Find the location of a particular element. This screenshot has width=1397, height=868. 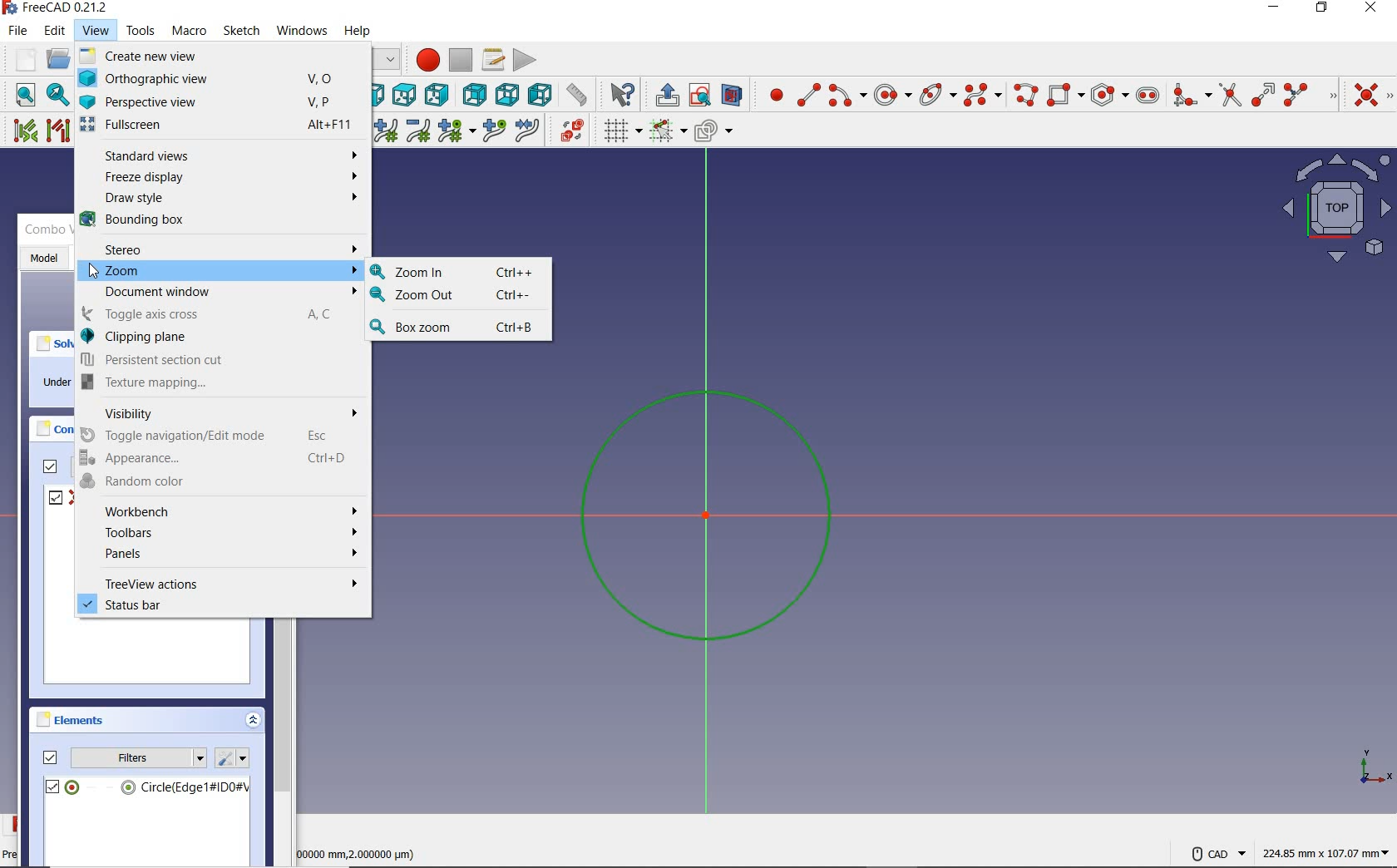

solver messages is located at coordinates (51, 342).